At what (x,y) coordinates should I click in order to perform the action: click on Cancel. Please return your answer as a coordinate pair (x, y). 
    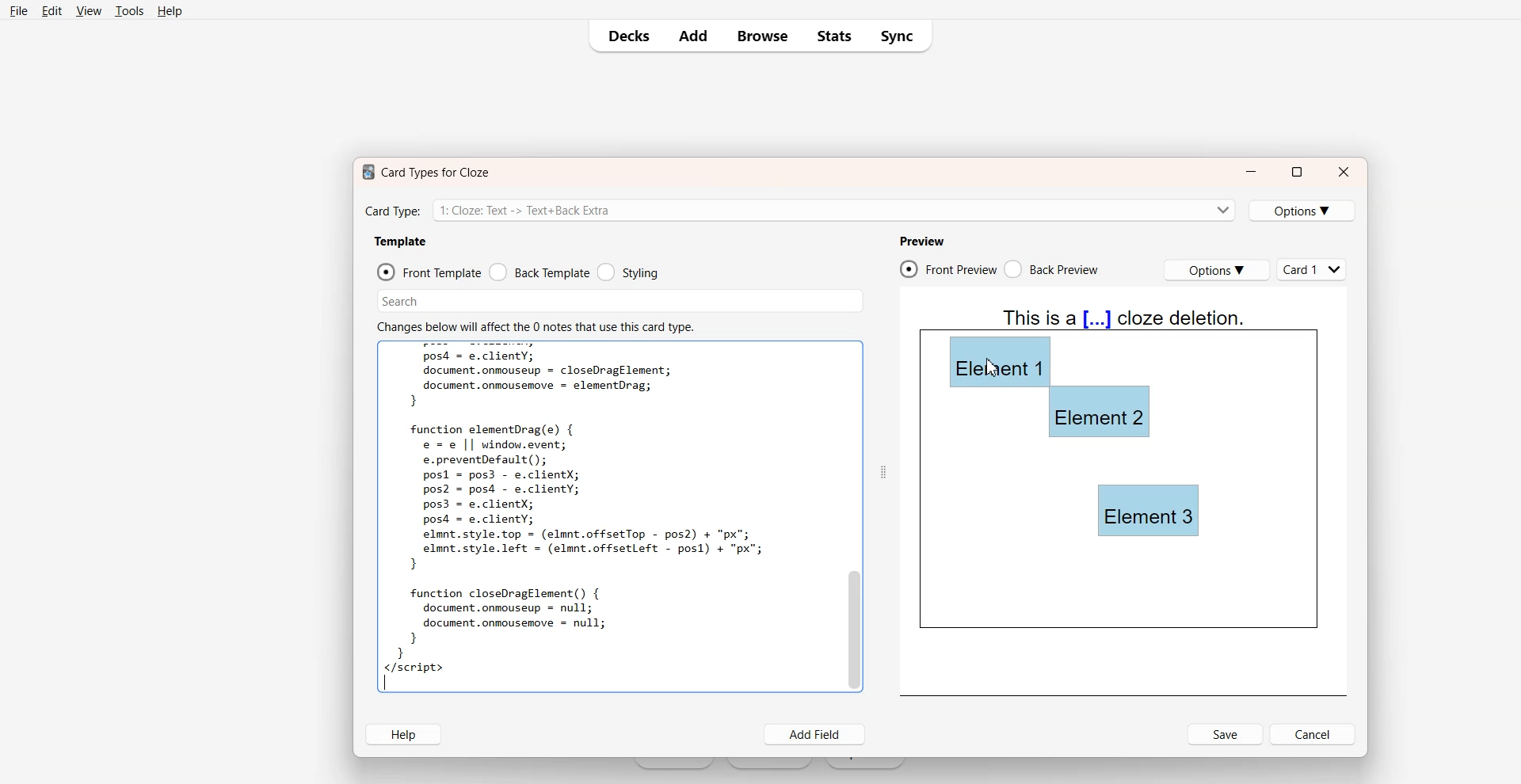
    Looking at the image, I should click on (1314, 734).